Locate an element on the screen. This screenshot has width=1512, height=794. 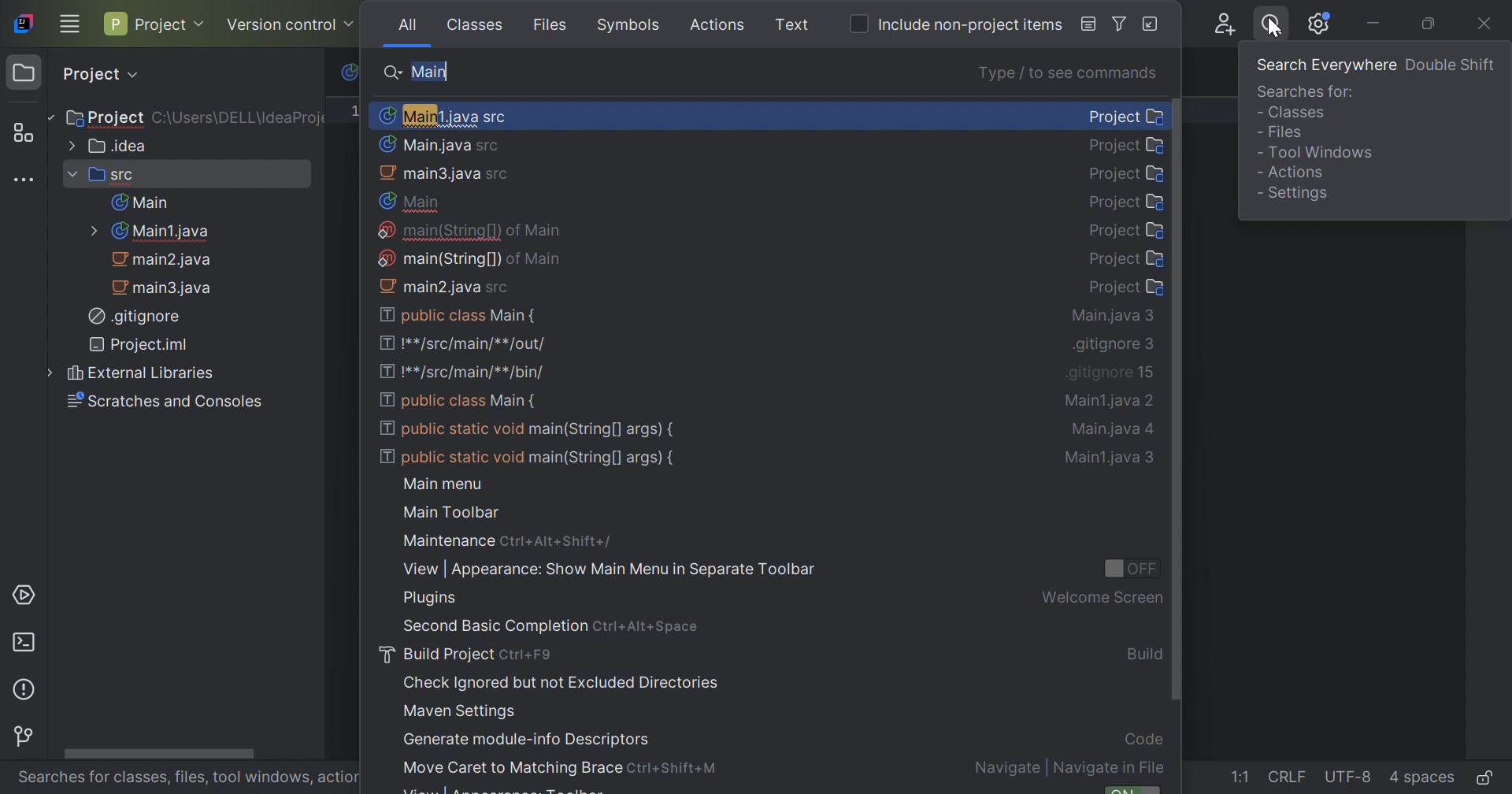
.gitignore15 is located at coordinates (1111, 373).